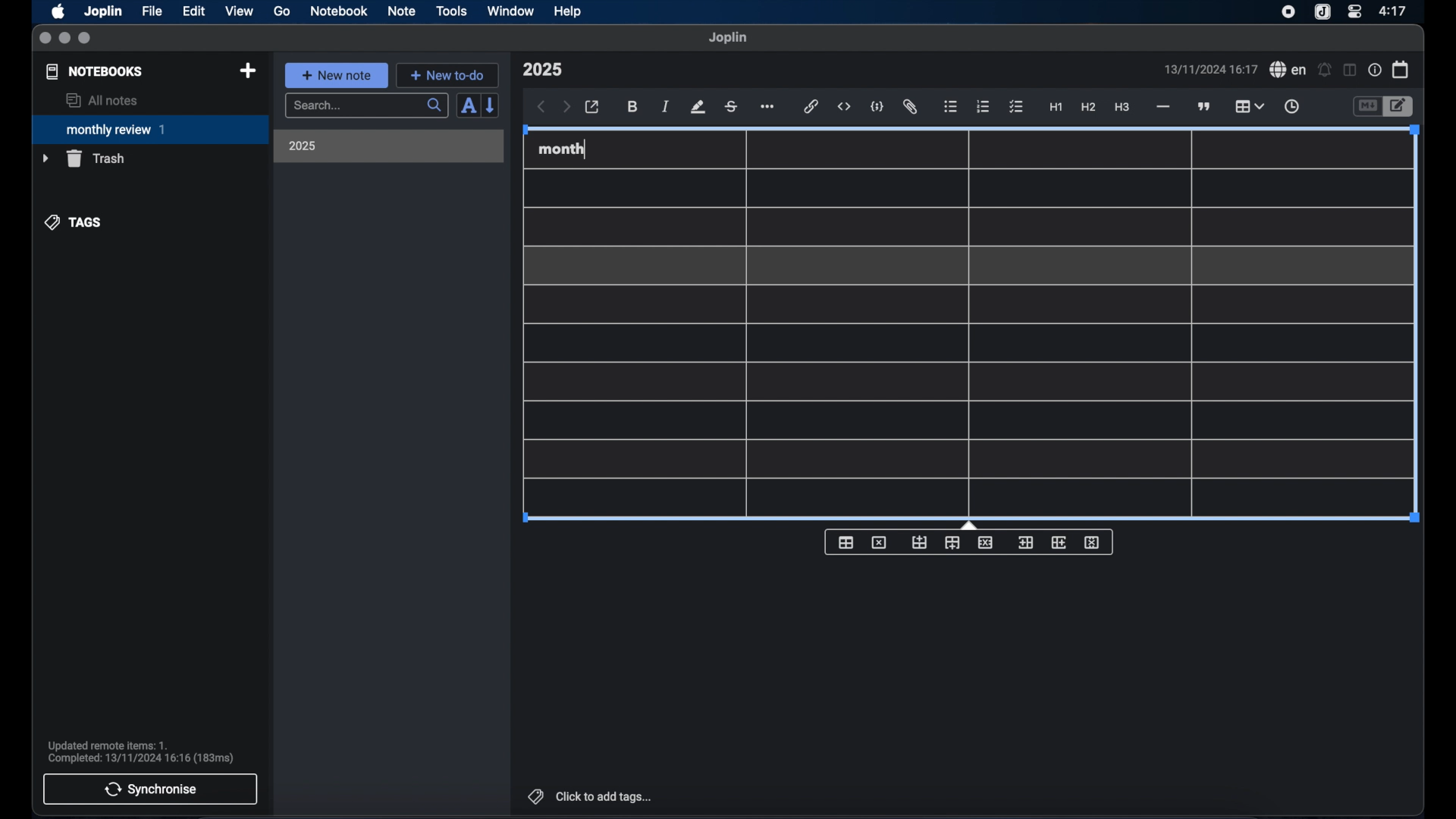  I want to click on new note, so click(336, 75).